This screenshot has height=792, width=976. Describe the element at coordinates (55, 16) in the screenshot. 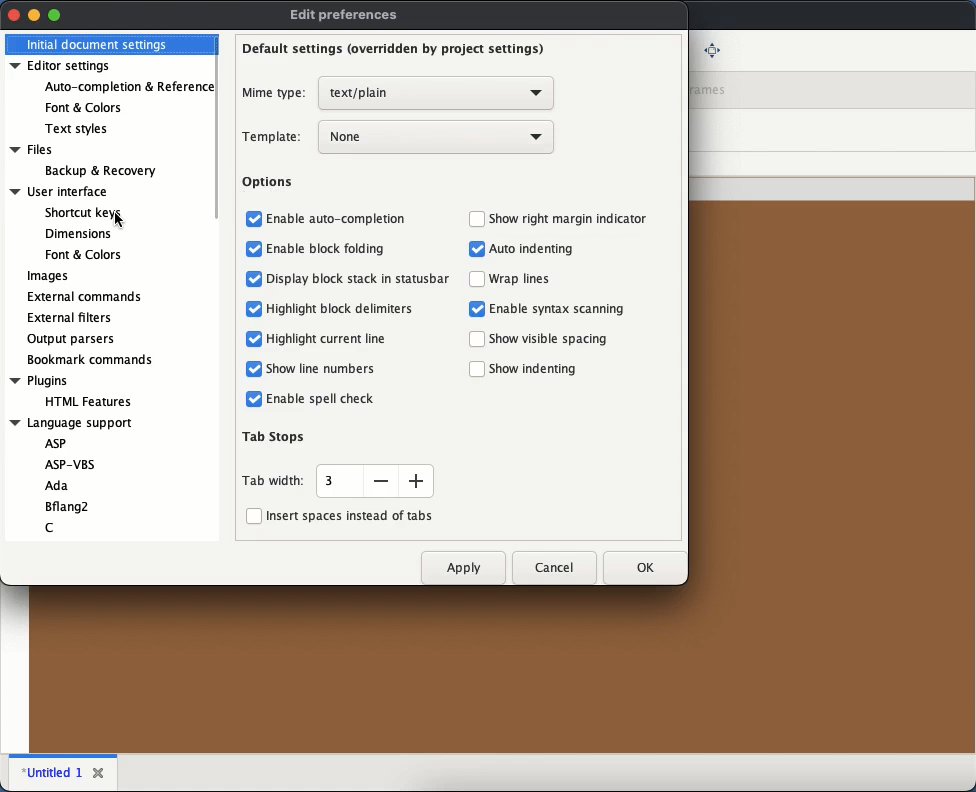

I see `maximize` at that location.